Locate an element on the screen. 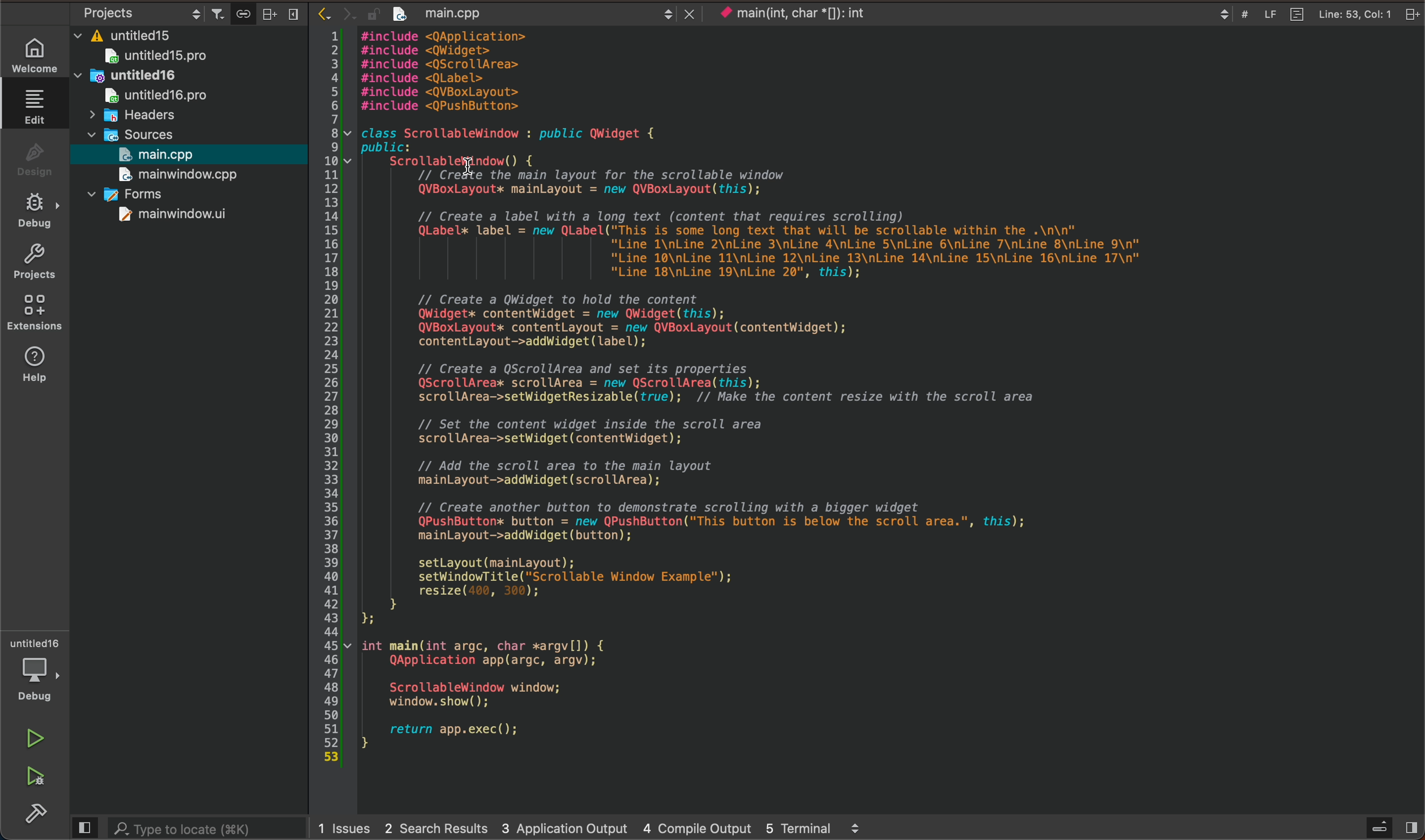 The image size is (1425, 840). headers is located at coordinates (131, 115).